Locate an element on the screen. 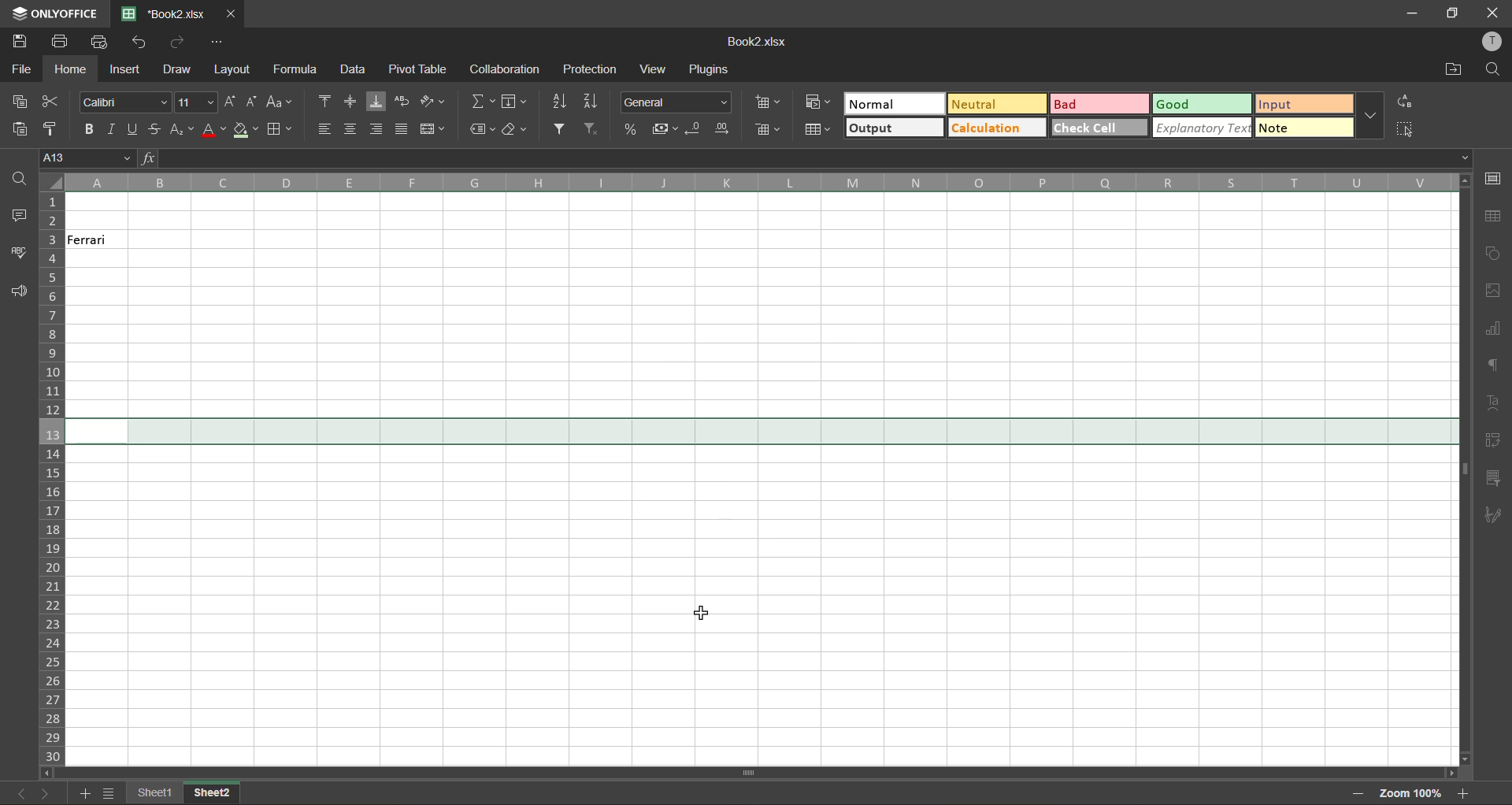 The height and width of the screenshot is (805, 1512). spellcheck is located at coordinates (19, 254).